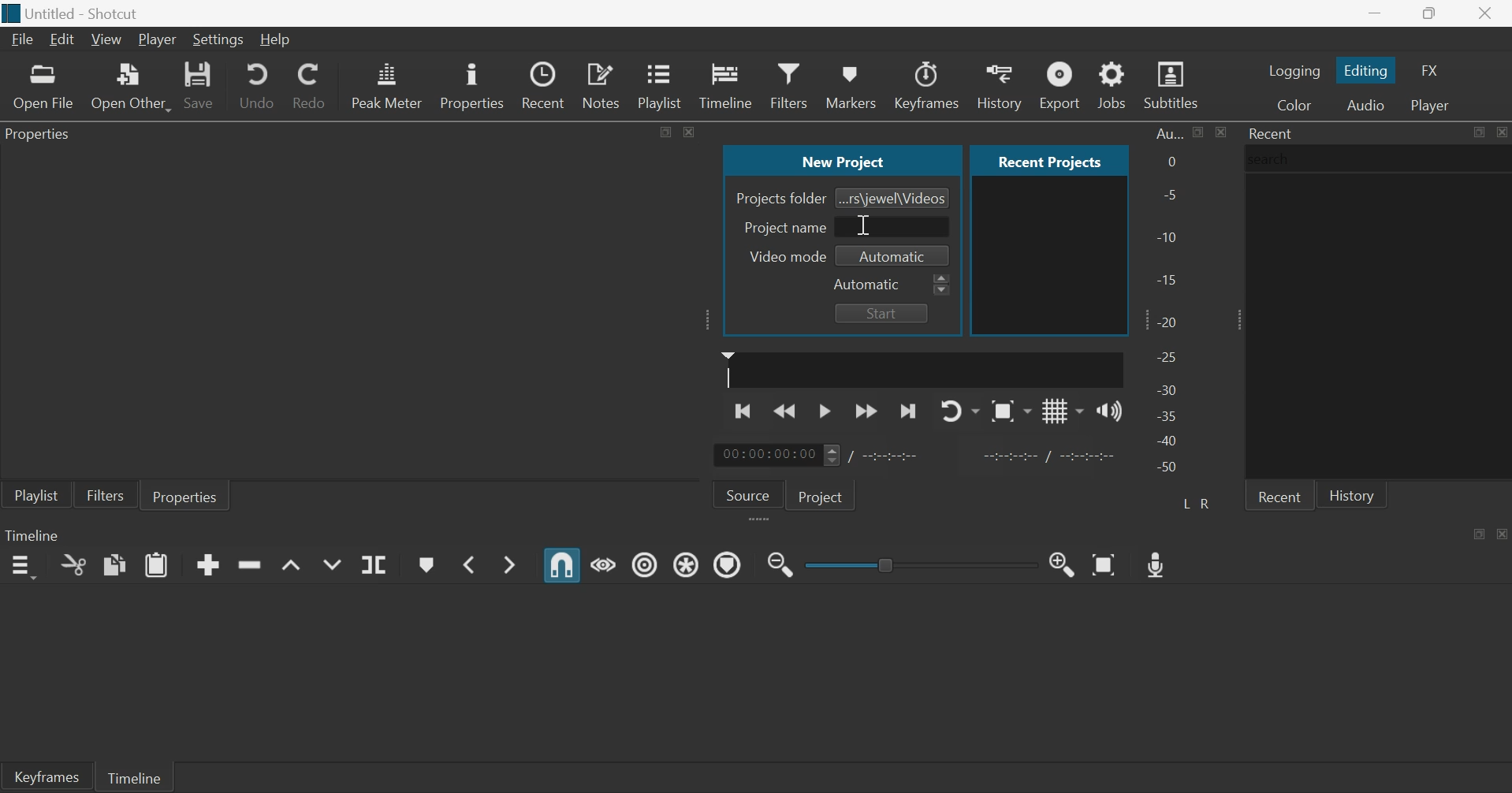 The width and height of the screenshot is (1512, 793). I want to click on Record Audio, so click(1158, 563).